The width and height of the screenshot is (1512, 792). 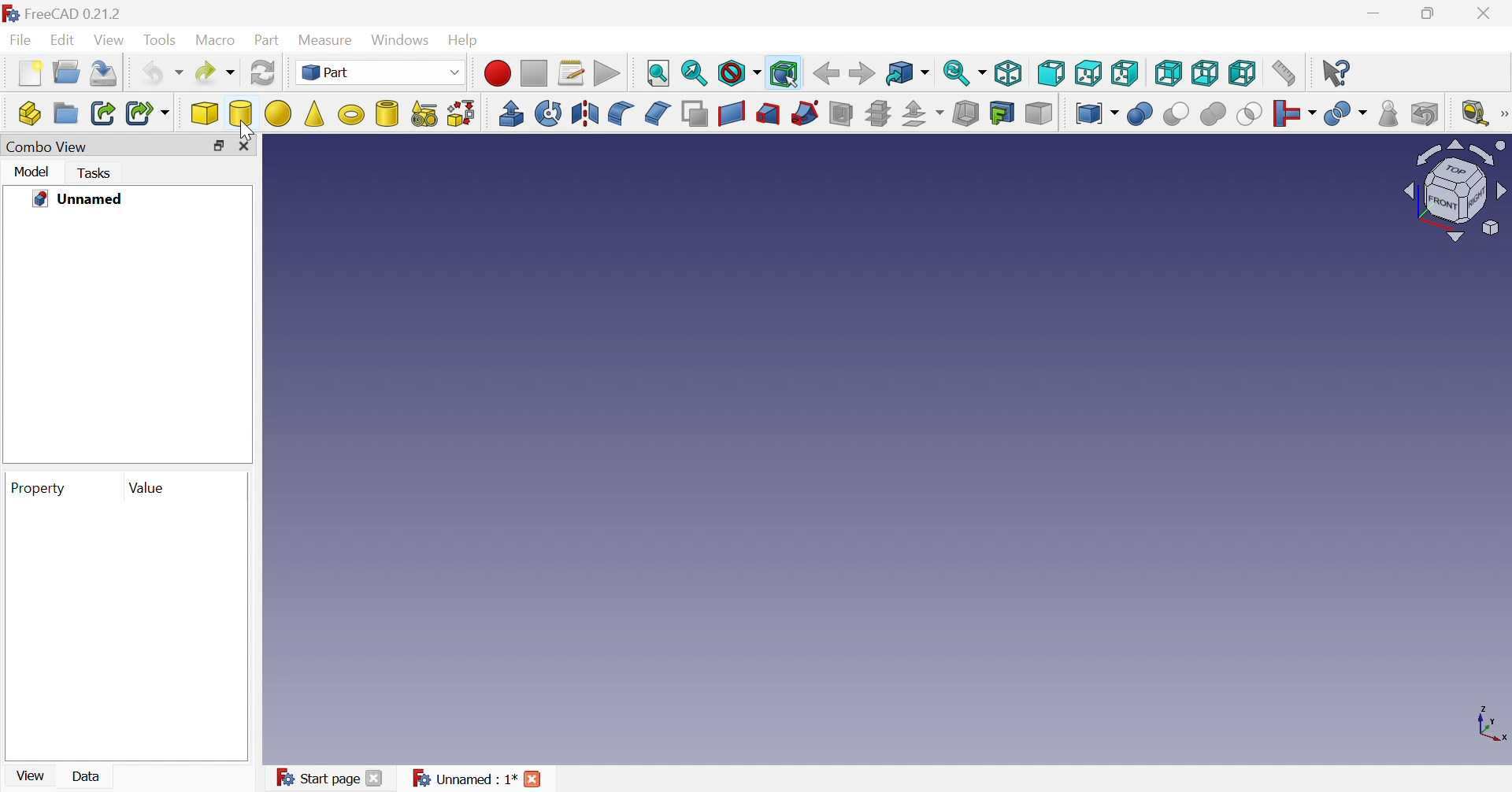 I want to click on Offset:, so click(x=921, y=114).